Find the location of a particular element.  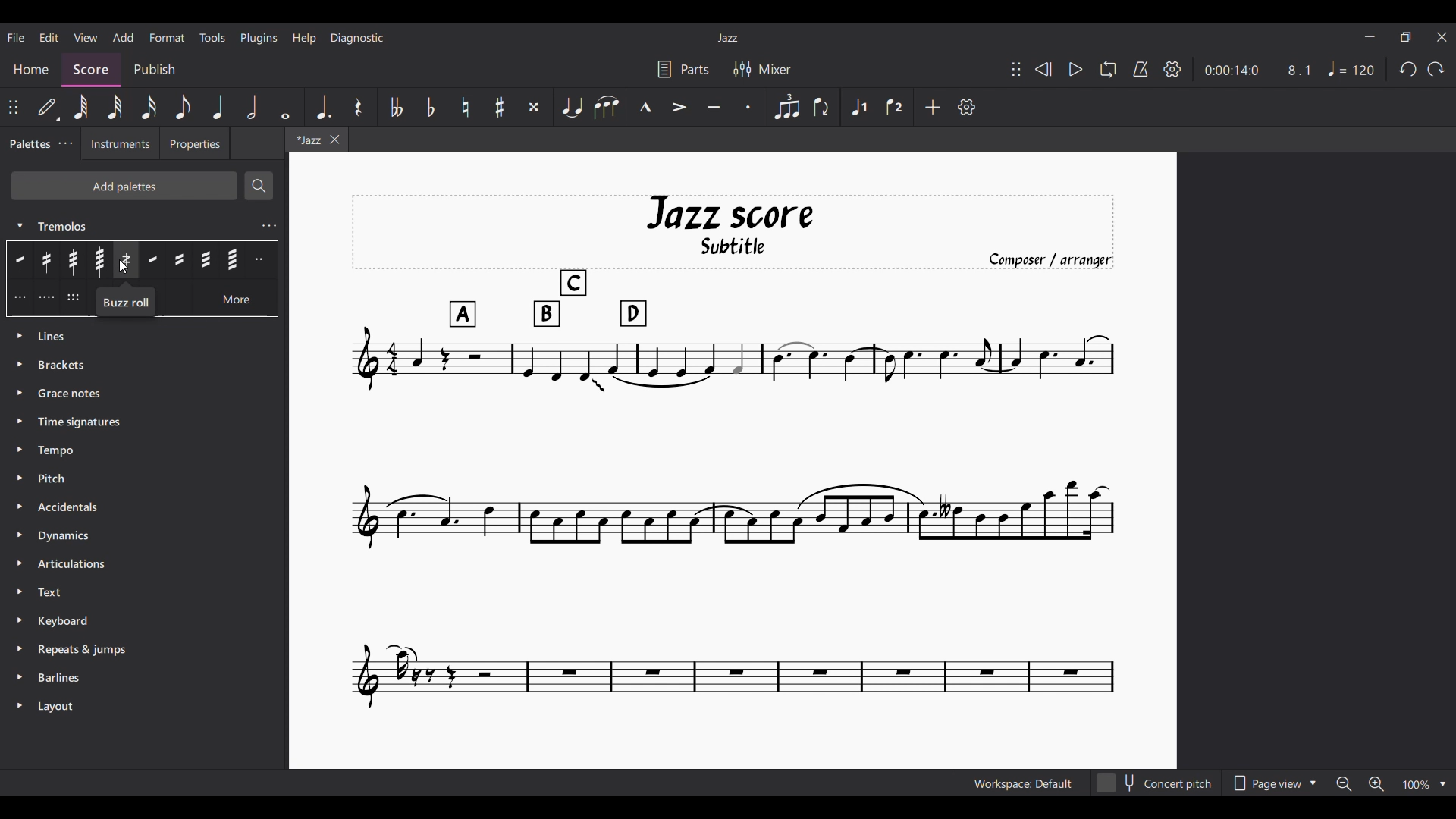

Flip direction is located at coordinates (824, 108).